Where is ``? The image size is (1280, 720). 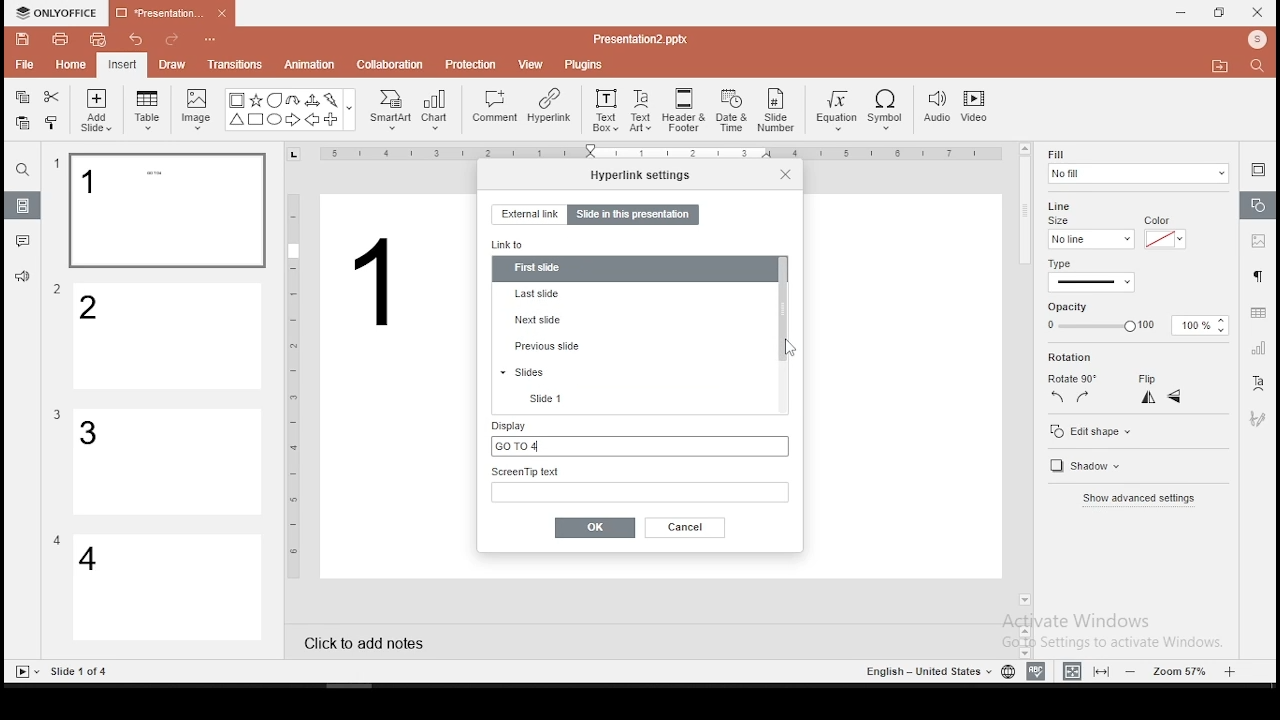
 is located at coordinates (389, 280).